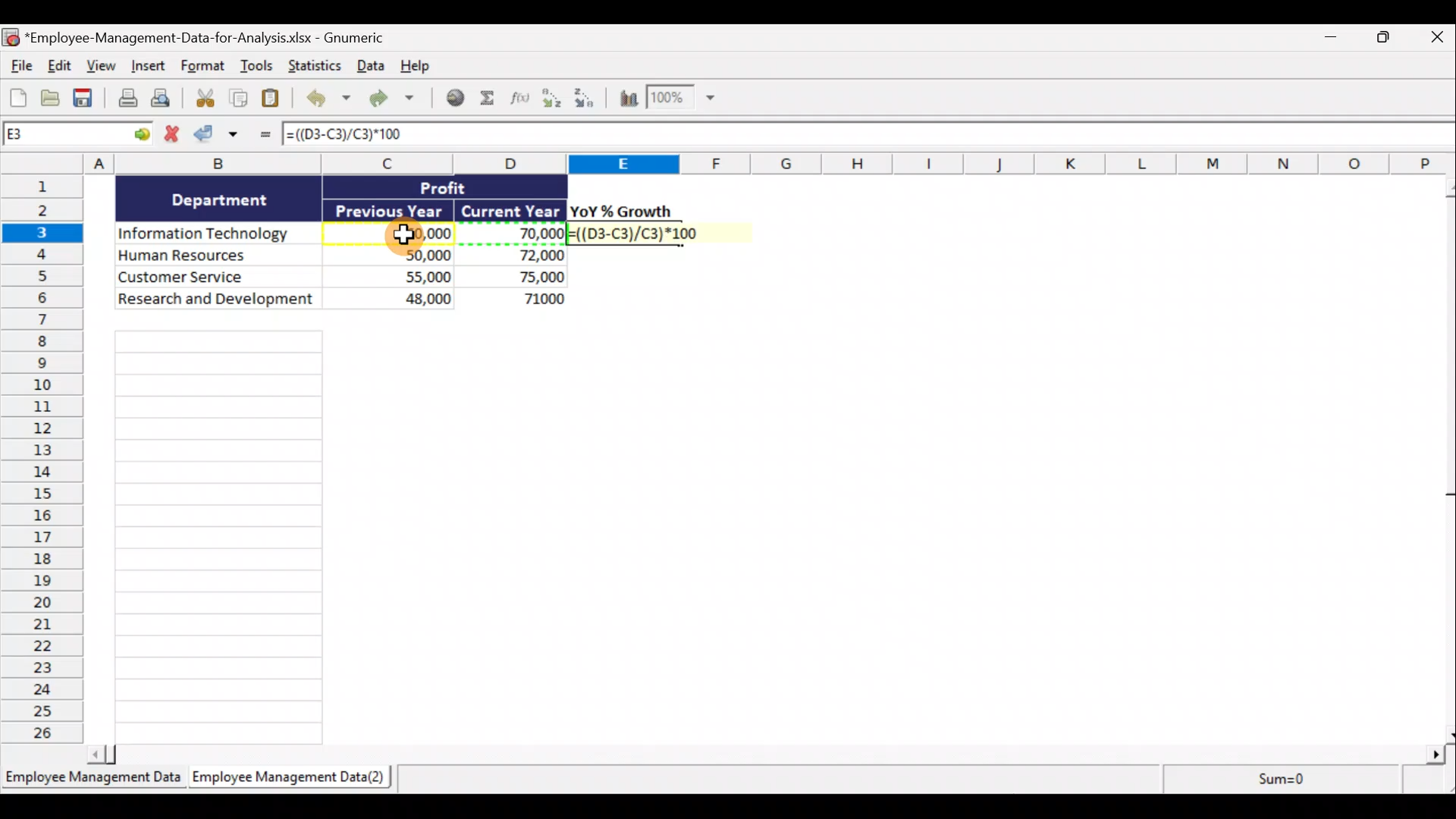 This screenshot has height=819, width=1456. I want to click on Print preview, so click(162, 99).